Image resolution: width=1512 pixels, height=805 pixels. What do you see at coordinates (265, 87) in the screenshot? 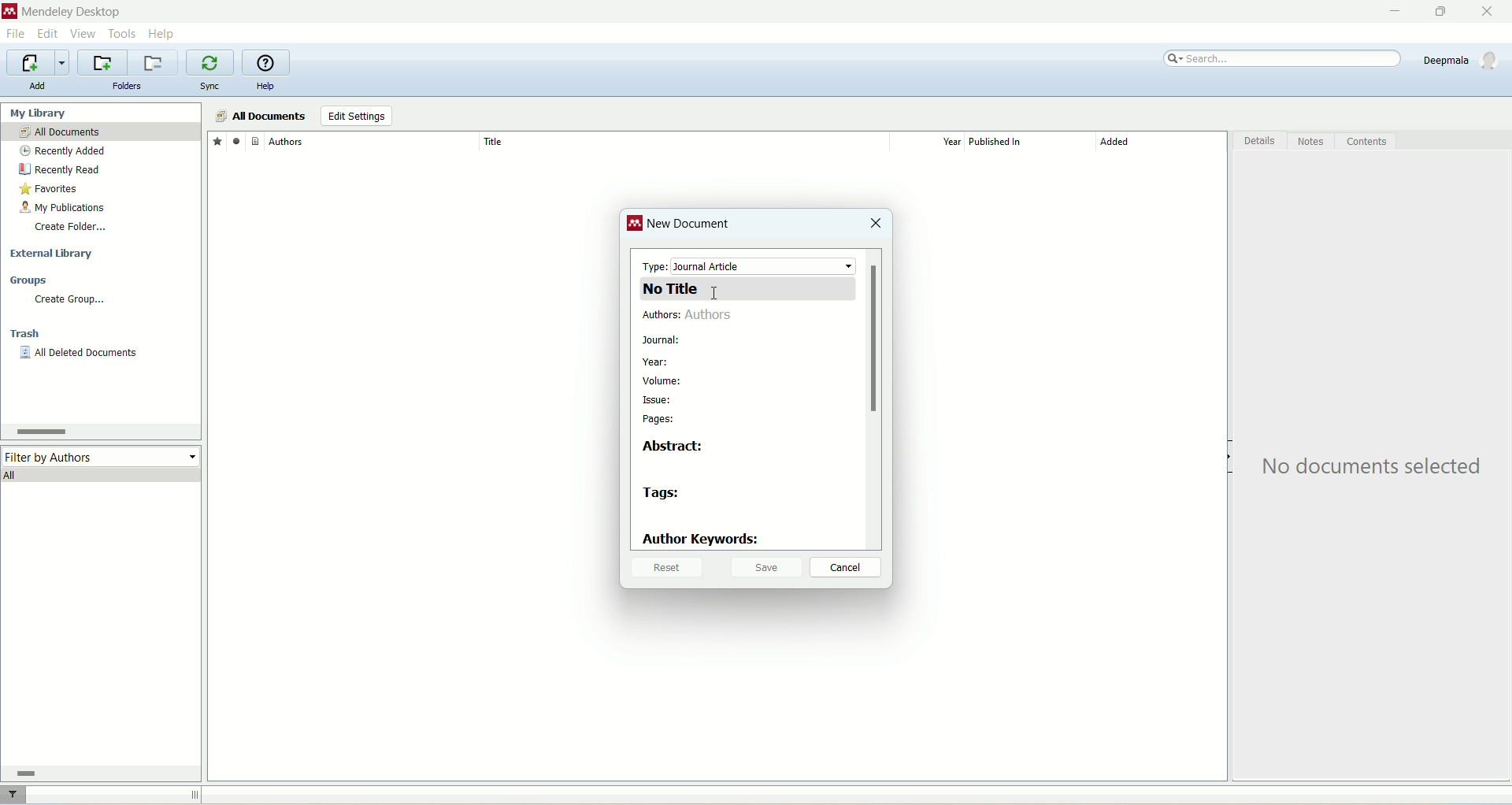
I see `help` at bounding box center [265, 87].